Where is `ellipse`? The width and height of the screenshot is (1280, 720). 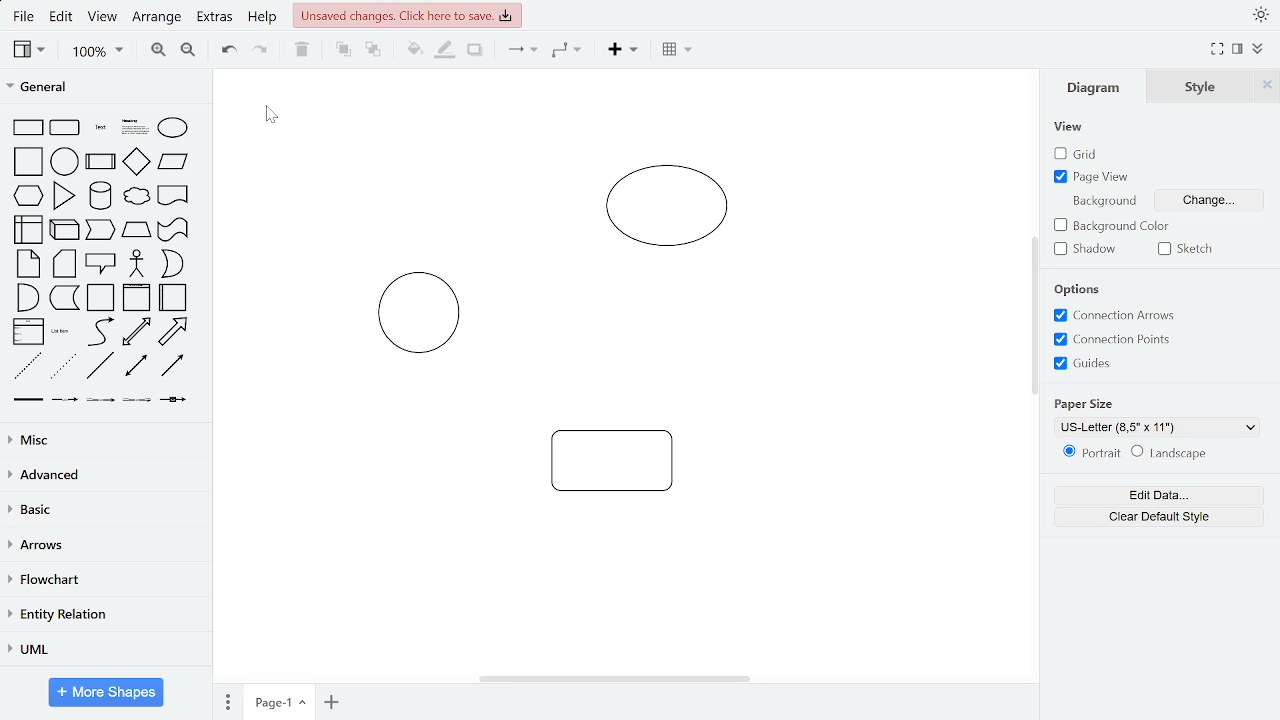
ellipse is located at coordinates (172, 128).